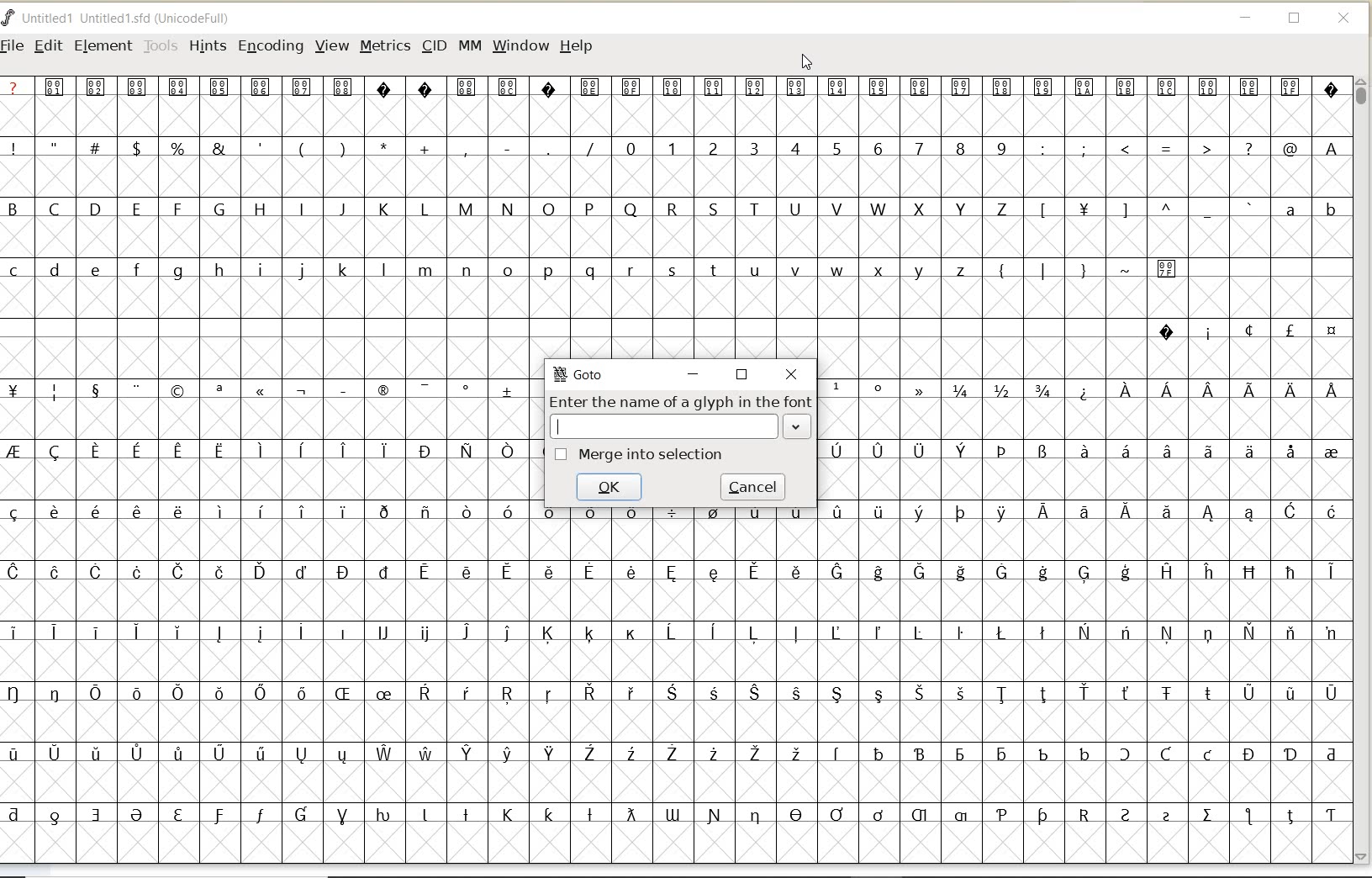  What do you see at coordinates (206, 45) in the screenshot?
I see `HINTS` at bounding box center [206, 45].